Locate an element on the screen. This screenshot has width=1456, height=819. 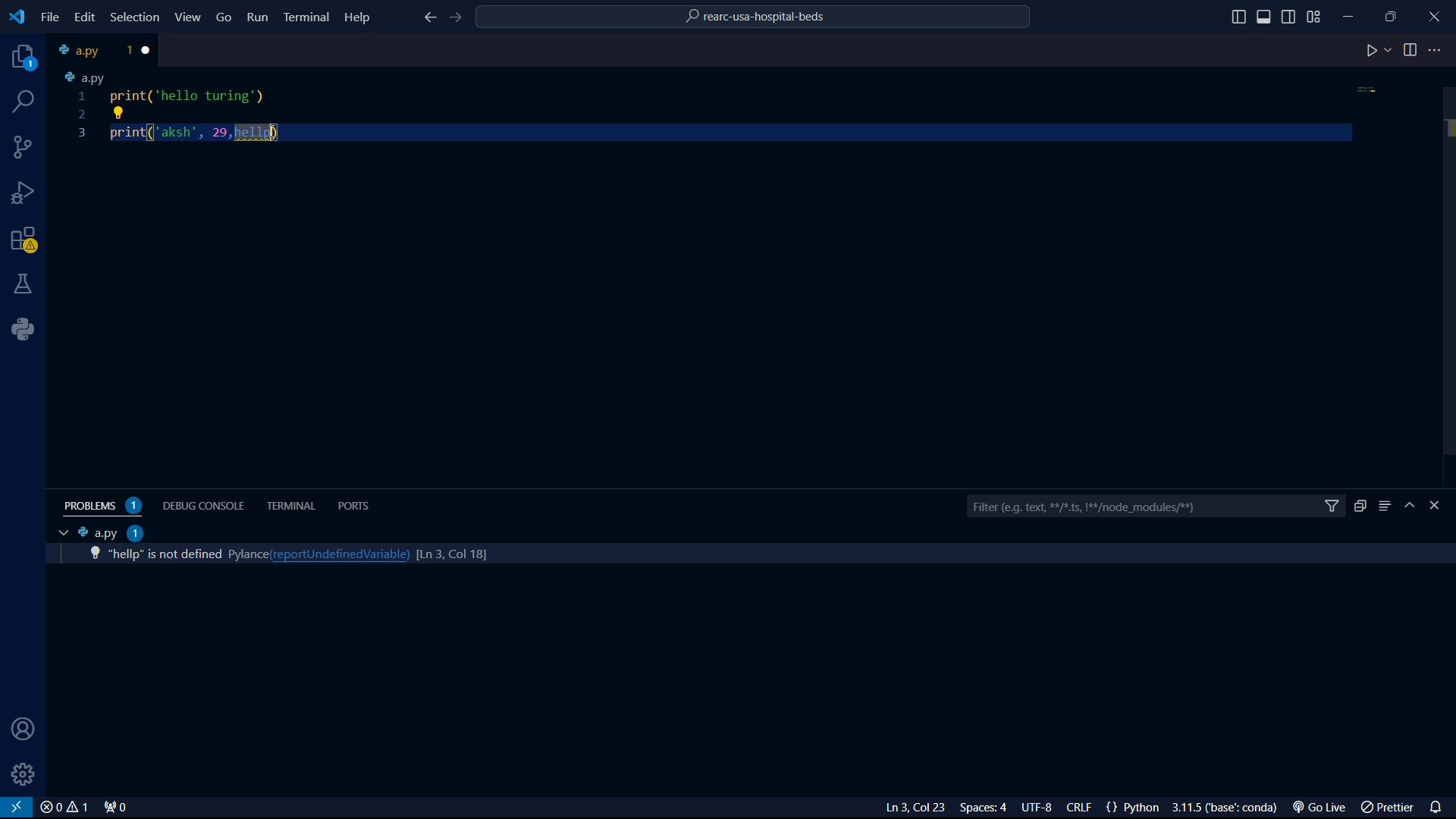
minimize is located at coordinates (1353, 13).